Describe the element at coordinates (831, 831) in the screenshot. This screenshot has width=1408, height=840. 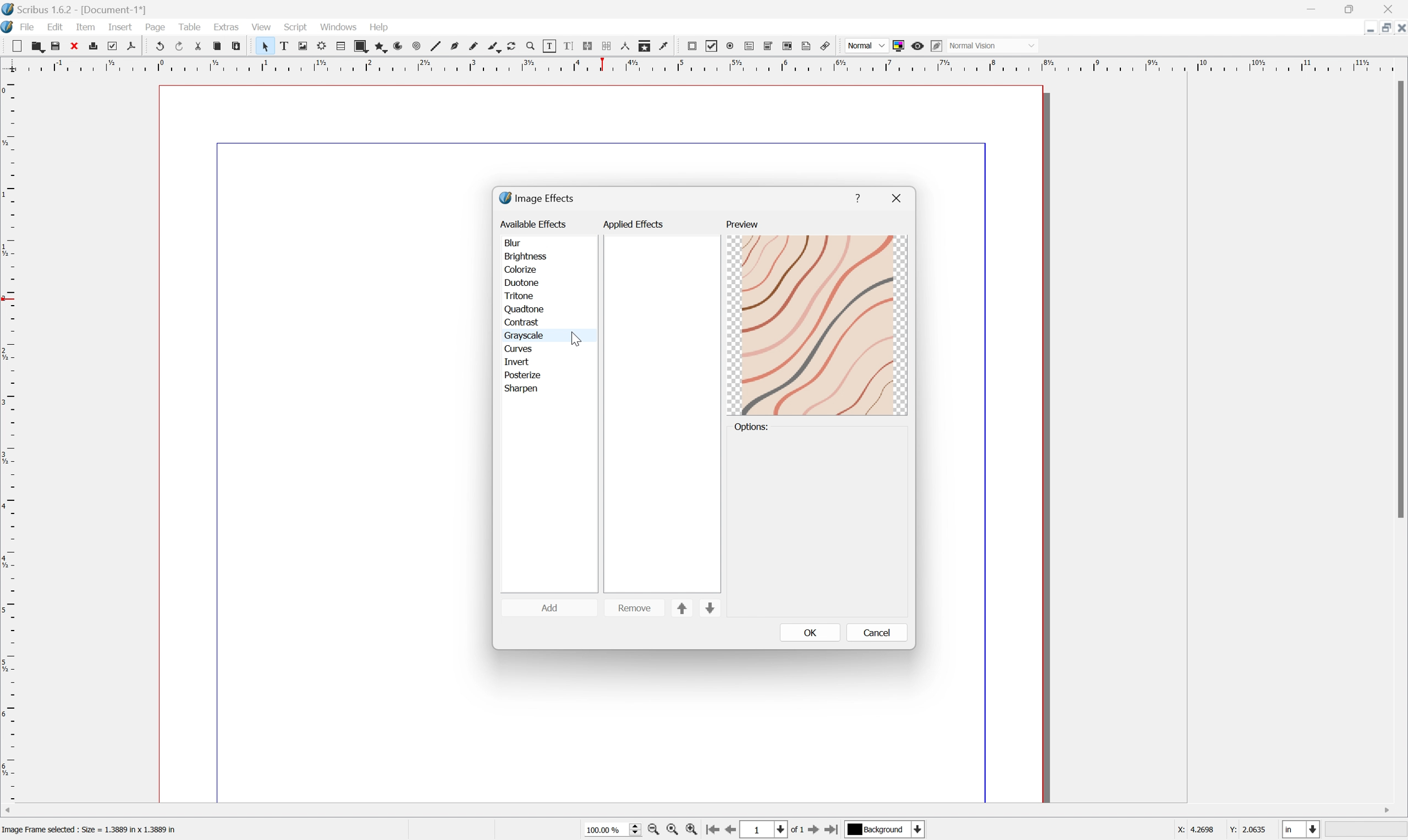
I see `Go to the last page` at that location.